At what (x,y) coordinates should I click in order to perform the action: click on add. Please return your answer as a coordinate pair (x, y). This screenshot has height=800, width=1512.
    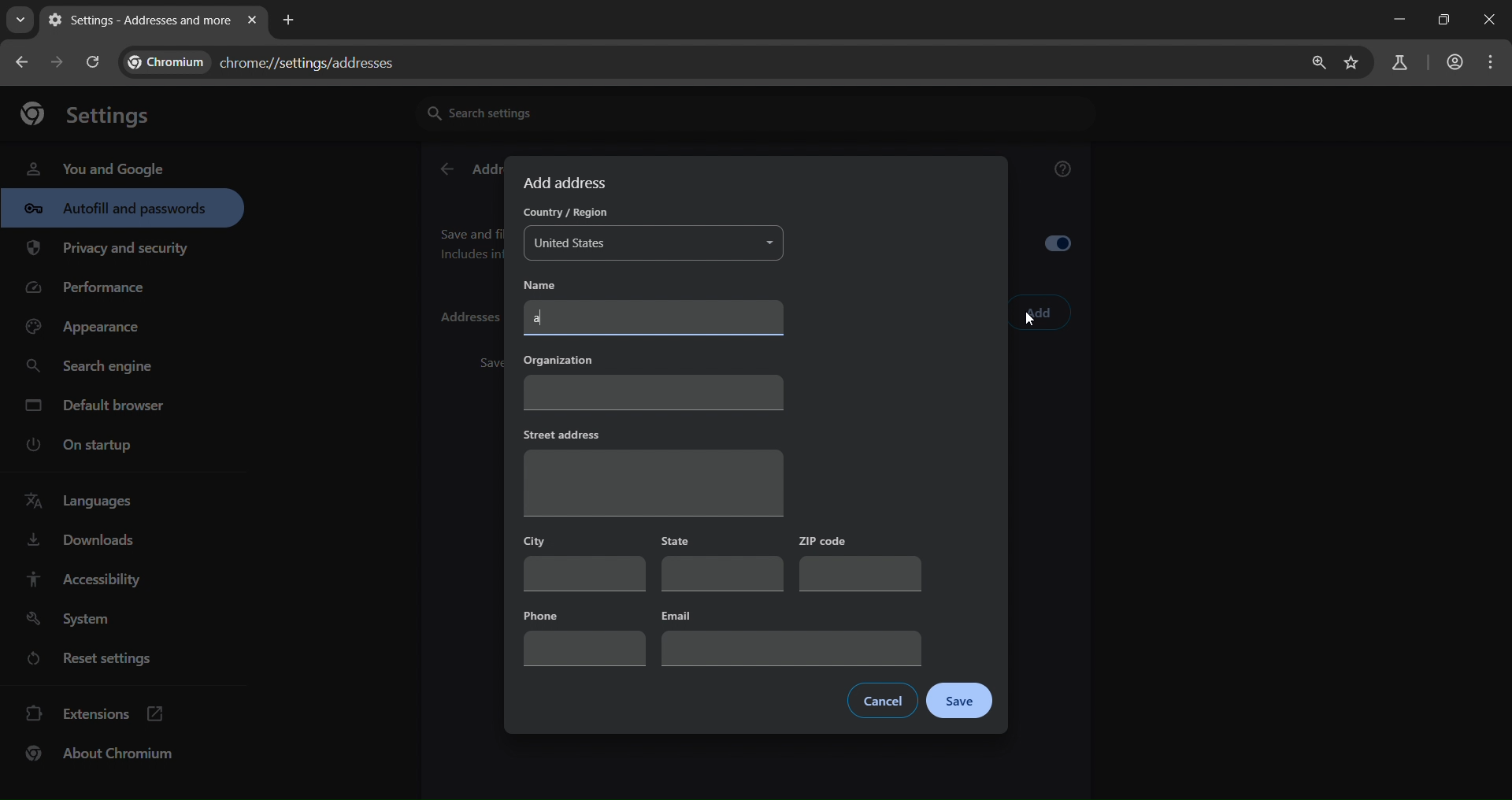
    Looking at the image, I should click on (1039, 313).